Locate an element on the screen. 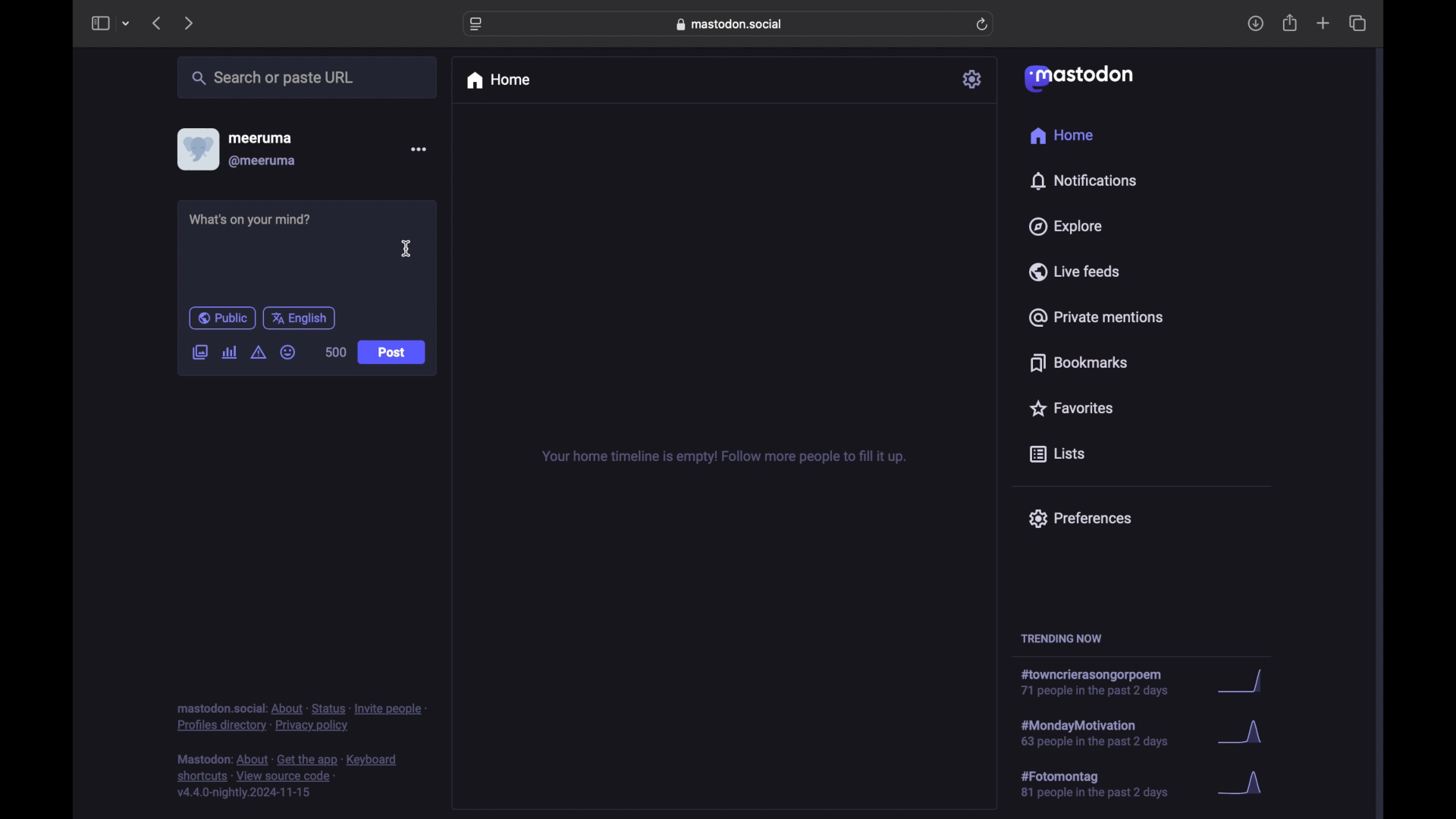 The height and width of the screenshot is (819, 1456). your home timeline is  empty! follow for more tips is located at coordinates (722, 457).